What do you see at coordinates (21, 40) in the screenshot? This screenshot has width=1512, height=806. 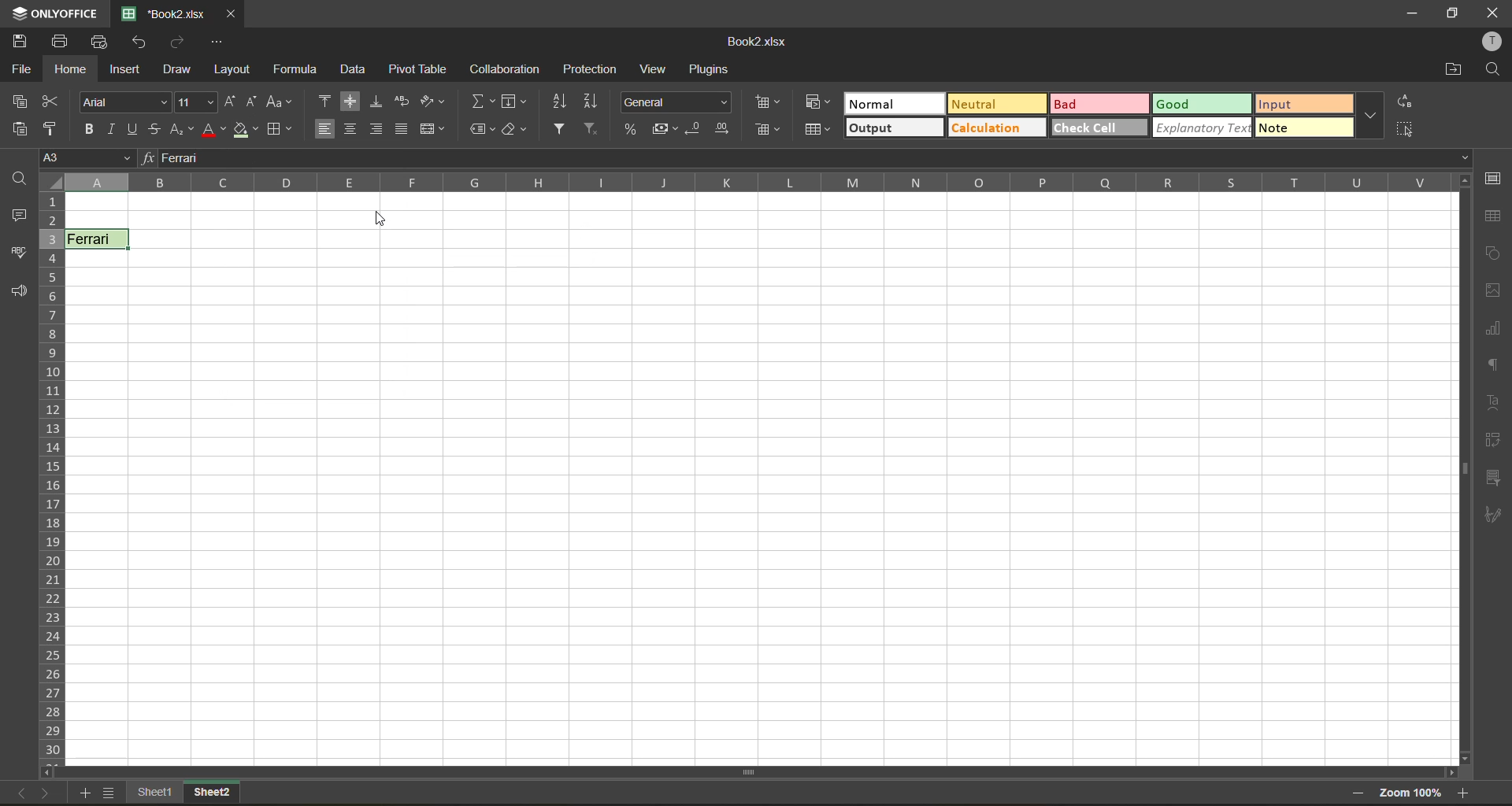 I see `save` at bounding box center [21, 40].